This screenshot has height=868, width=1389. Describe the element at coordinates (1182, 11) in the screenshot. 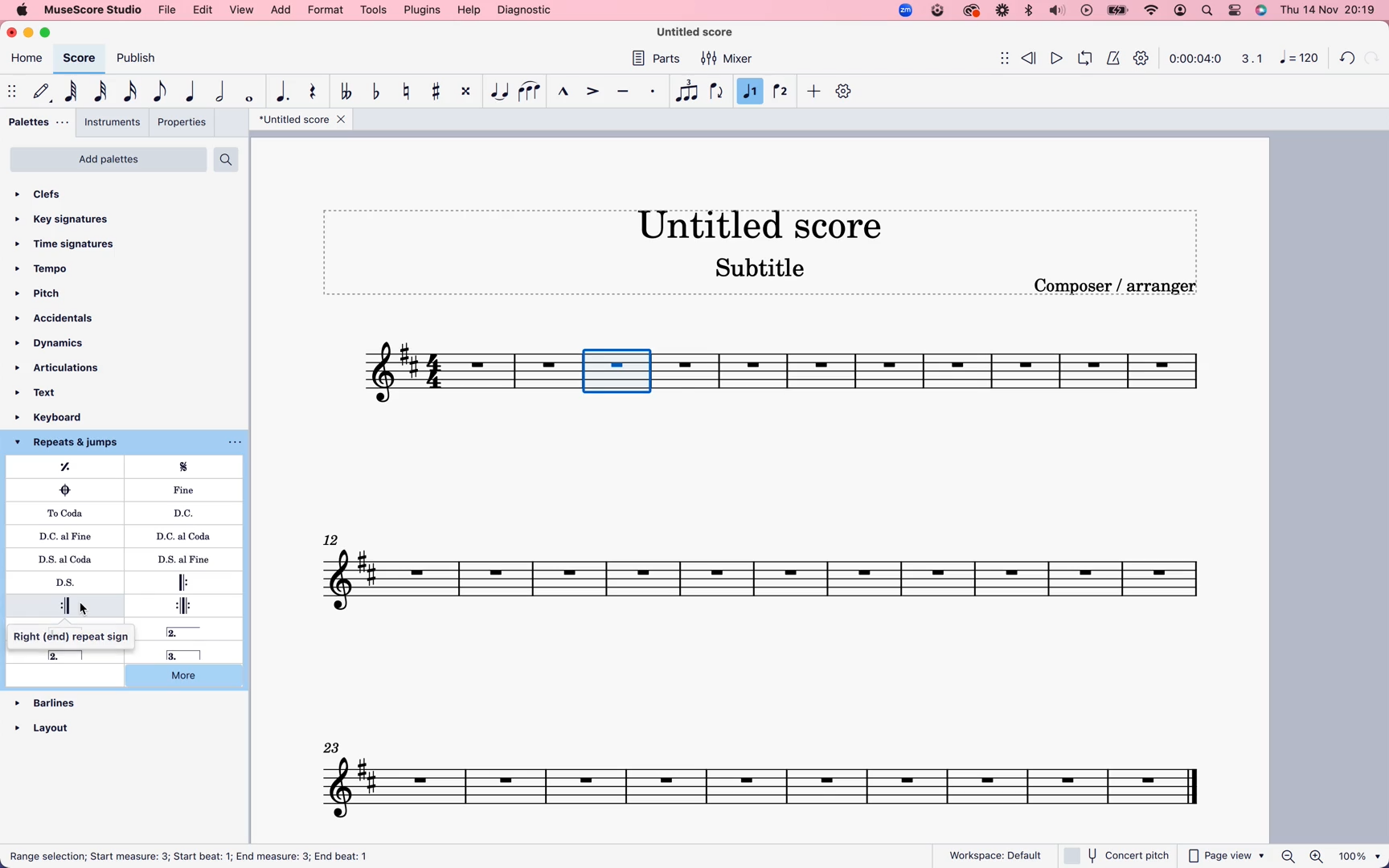

I see `profile` at that location.